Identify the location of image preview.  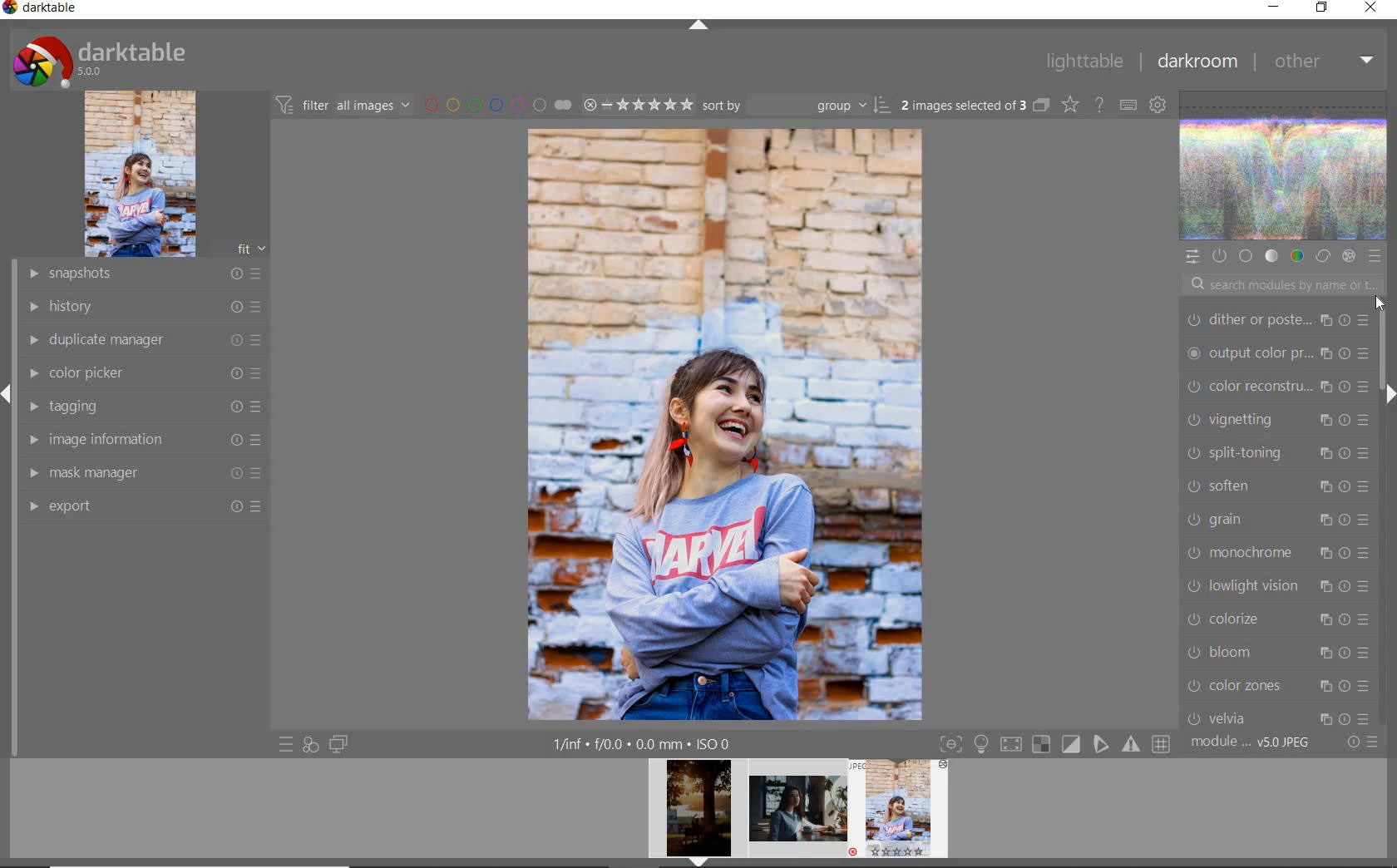
(798, 813).